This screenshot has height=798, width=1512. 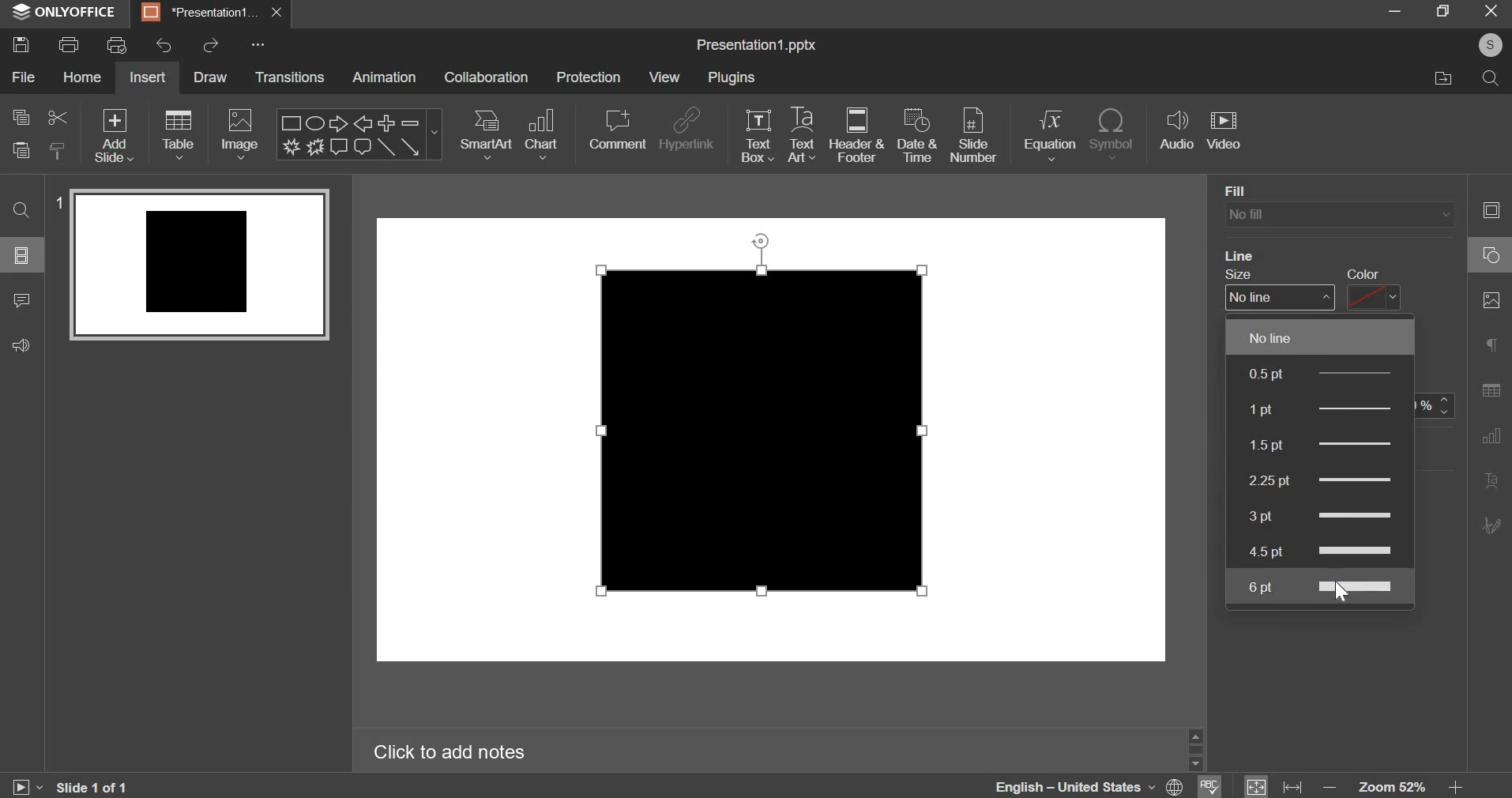 What do you see at coordinates (1213, 787) in the screenshot?
I see `spelling` at bounding box center [1213, 787].